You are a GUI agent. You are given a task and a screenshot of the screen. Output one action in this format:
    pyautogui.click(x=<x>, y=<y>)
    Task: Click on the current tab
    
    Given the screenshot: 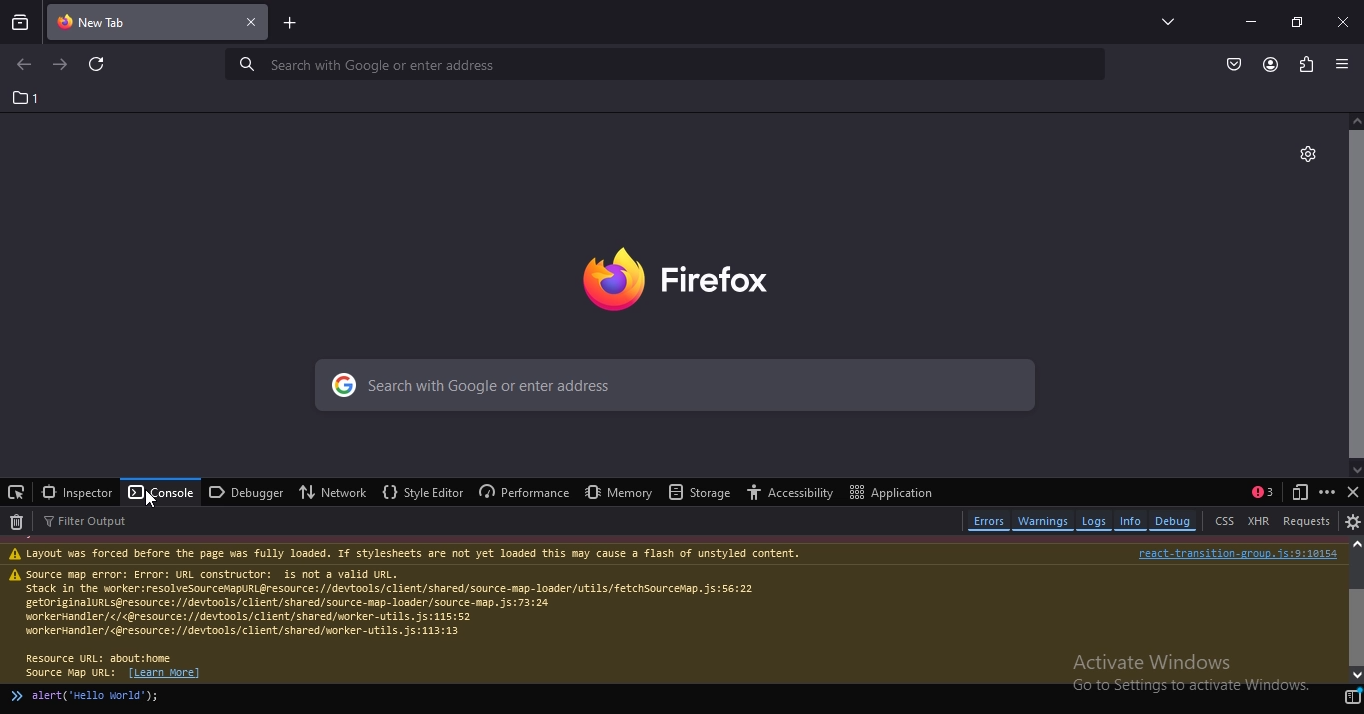 What is the action you would take?
    pyautogui.click(x=126, y=21)
    